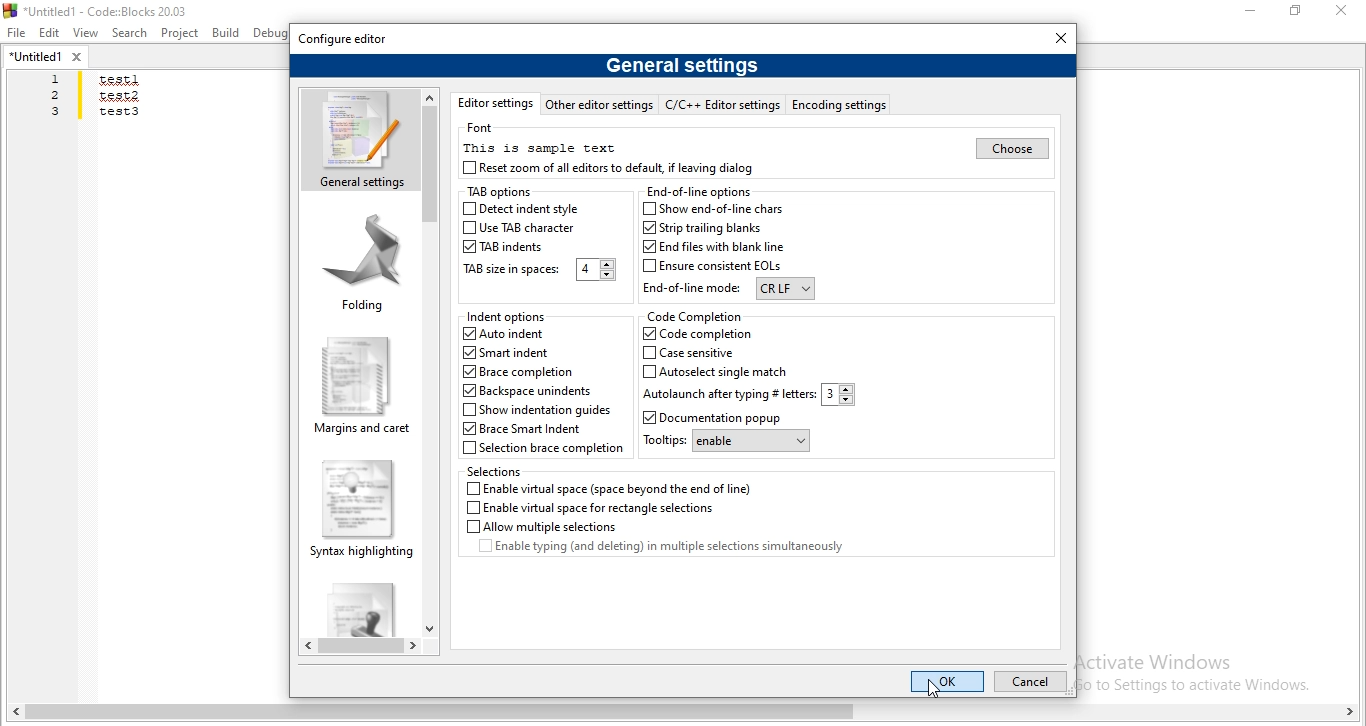  What do you see at coordinates (118, 81) in the screenshot?
I see `test 1` at bounding box center [118, 81].